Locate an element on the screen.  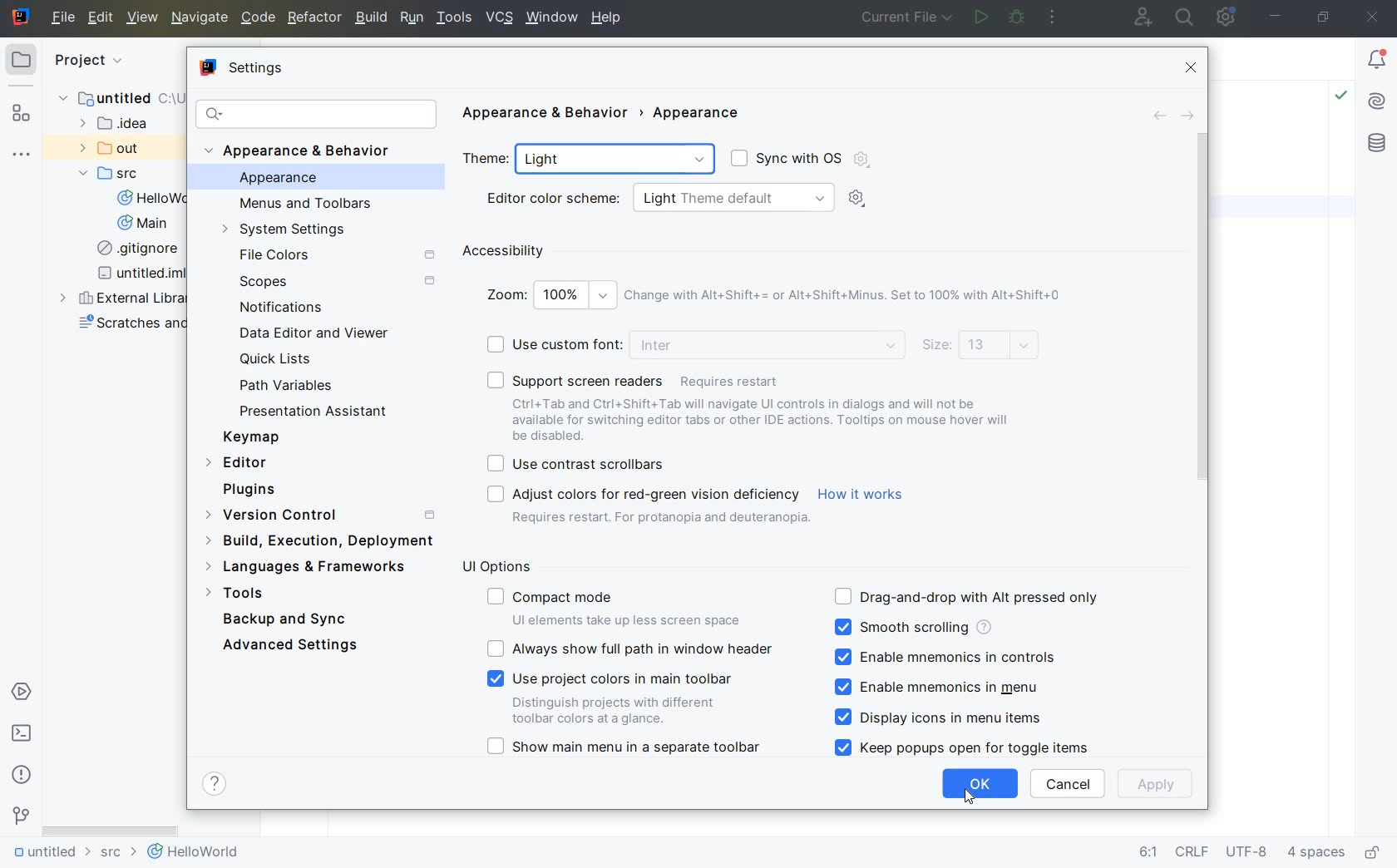
notifications is located at coordinates (1376, 60).